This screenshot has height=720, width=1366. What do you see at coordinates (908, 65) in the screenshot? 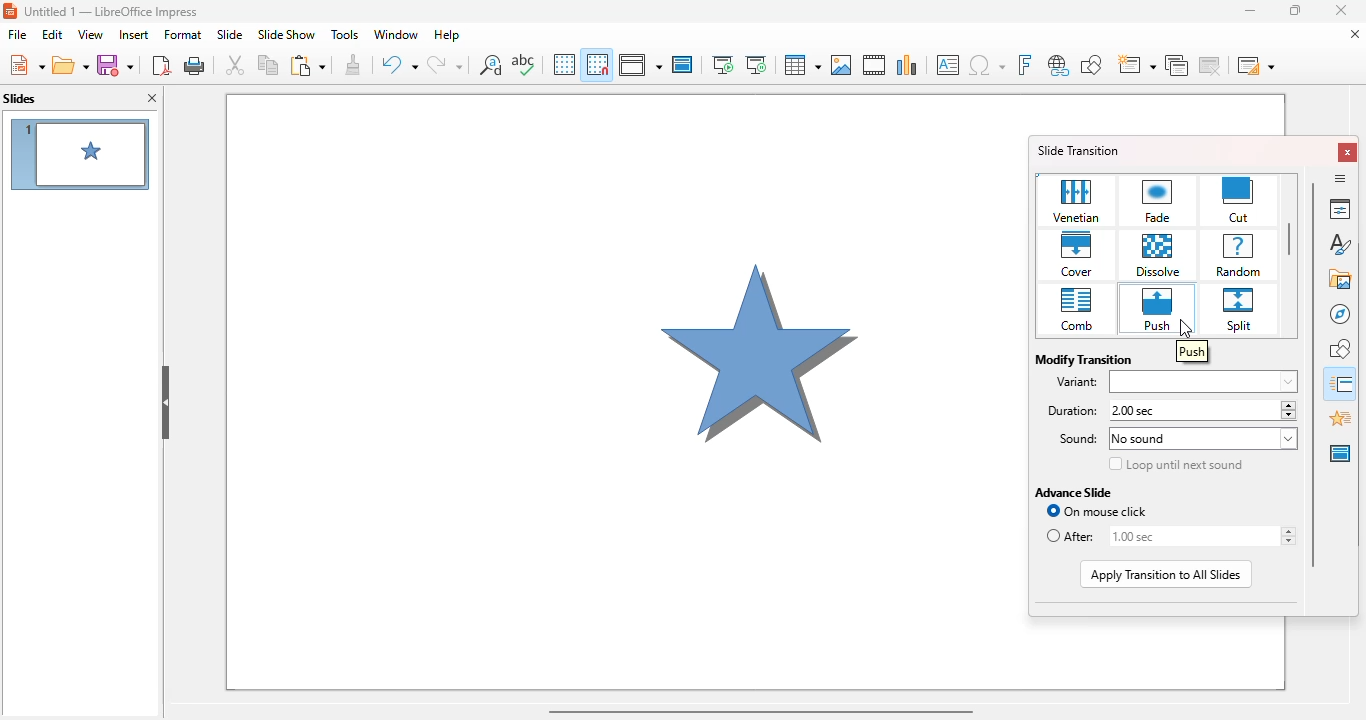
I see `insert chart` at bounding box center [908, 65].